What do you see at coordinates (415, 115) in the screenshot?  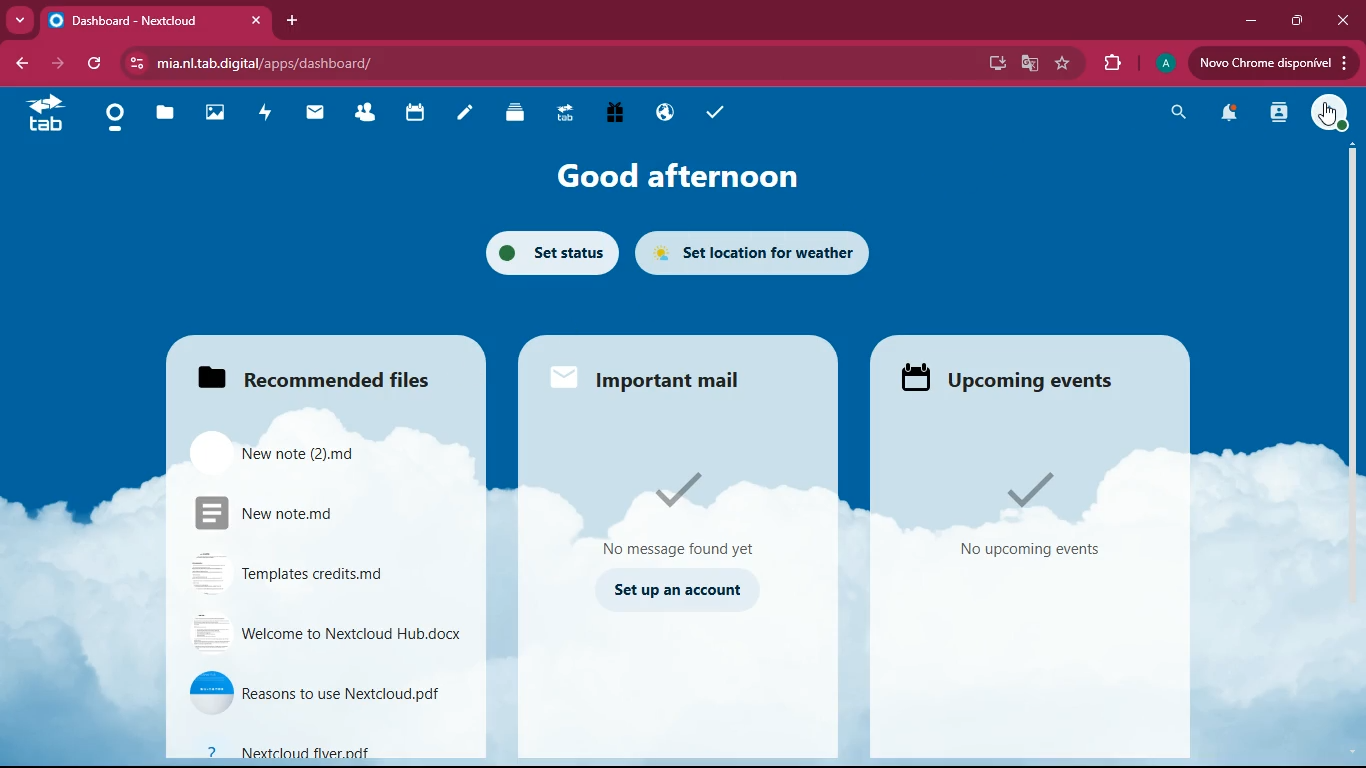 I see `calendar` at bounding box center [415, 115].